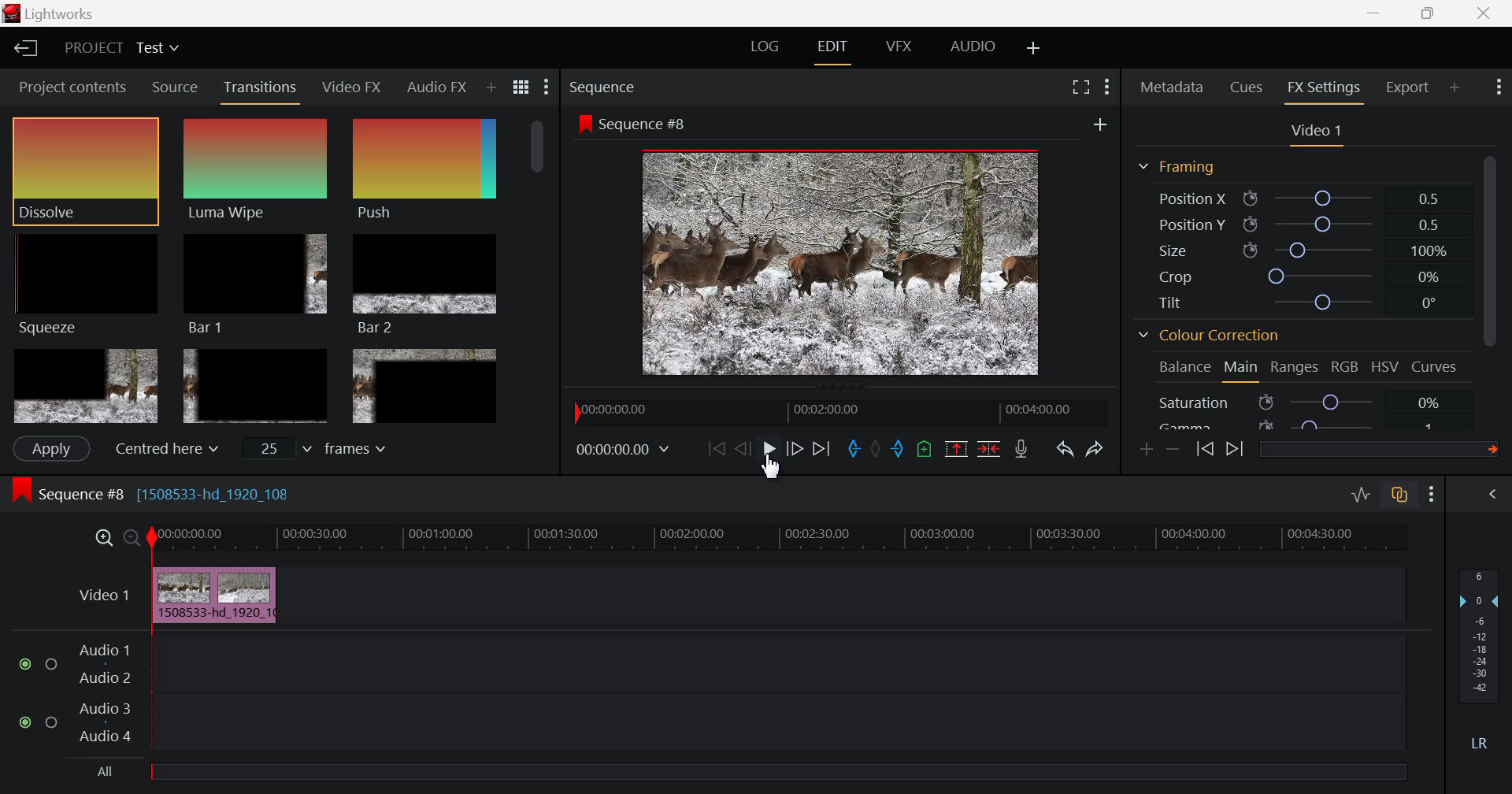 The image size is (1512, 794). Describe the element at coordinates (50, 448) in the screenshot. I see `Apply` at that location.